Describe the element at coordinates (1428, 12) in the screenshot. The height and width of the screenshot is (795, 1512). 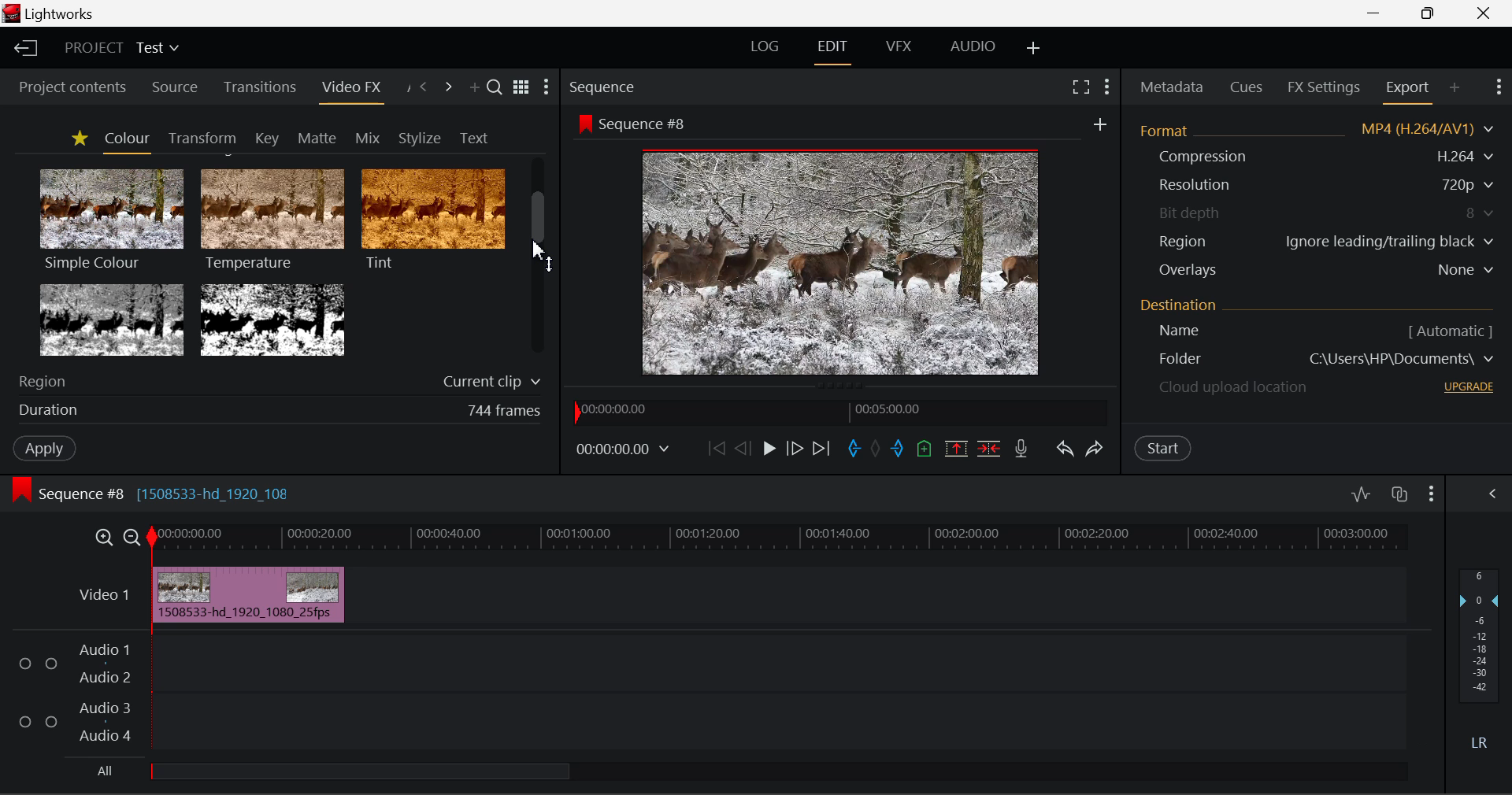
I see `Minimize` at that location.